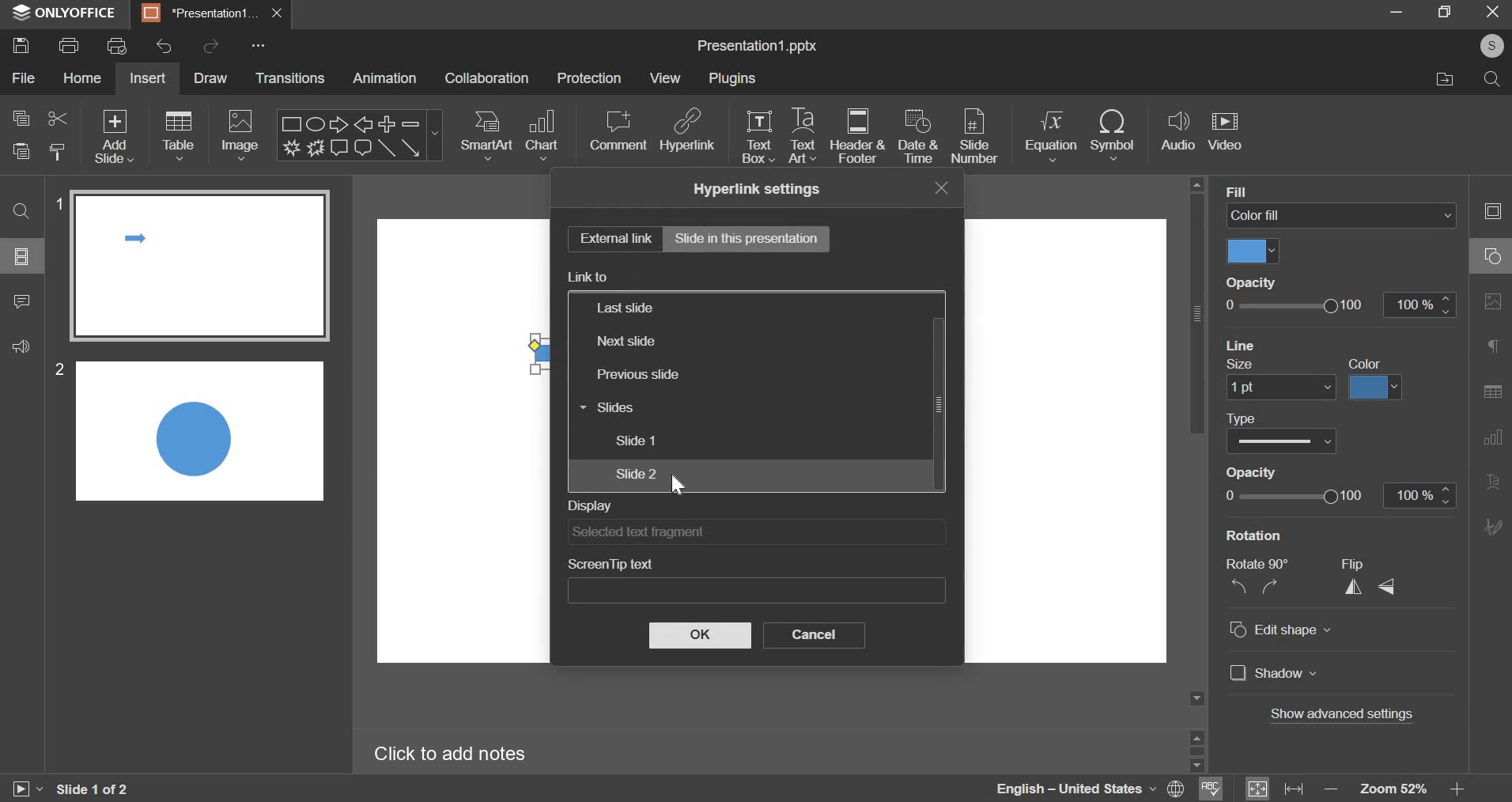 This screenshot has height=802, width=1512. What do you see at coordinates (589, 79) in the screenshot?
I see `protection` at bounding box center [589, 79].